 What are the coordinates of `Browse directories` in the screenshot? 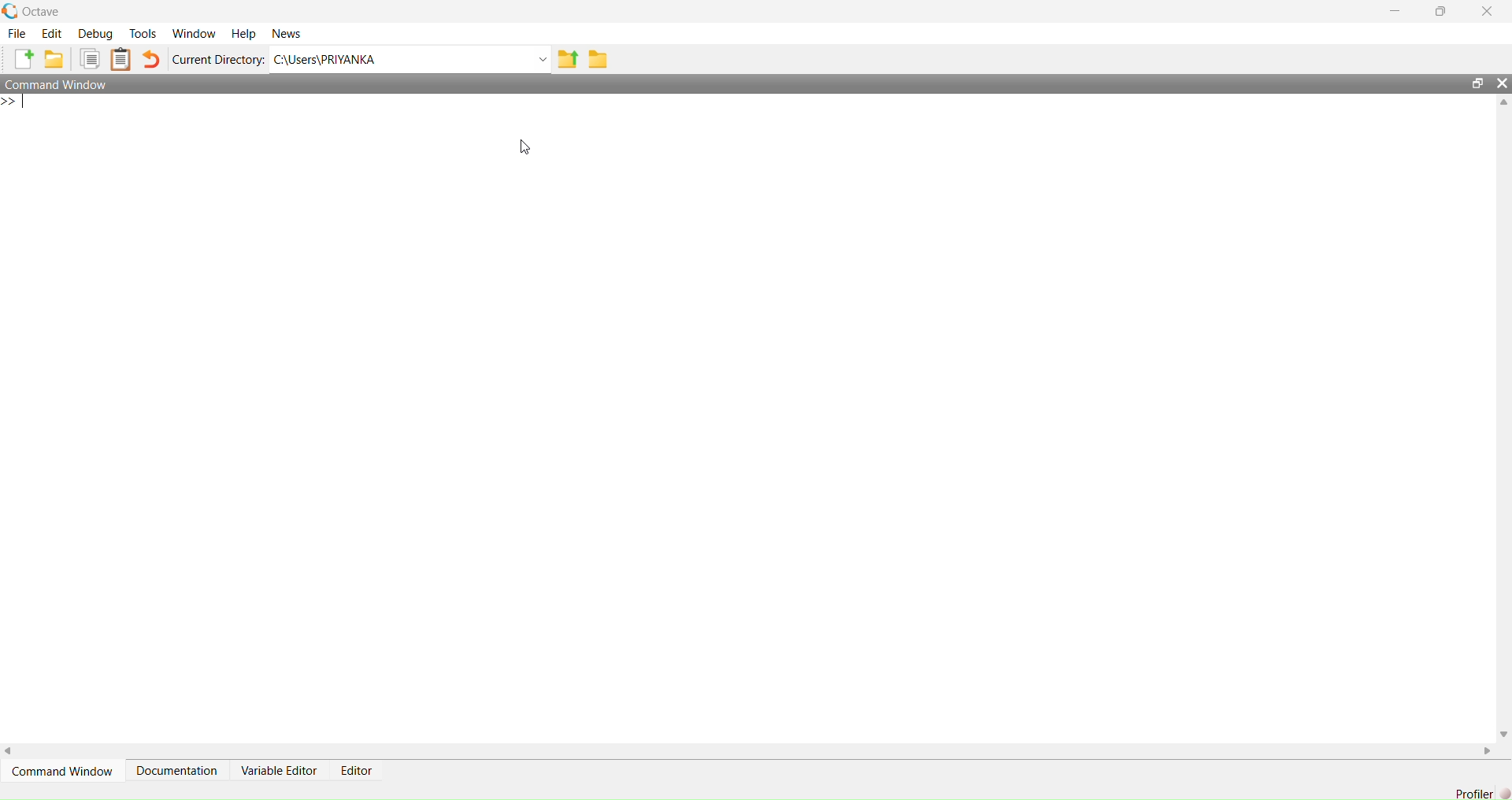 It's located at (598, 57).